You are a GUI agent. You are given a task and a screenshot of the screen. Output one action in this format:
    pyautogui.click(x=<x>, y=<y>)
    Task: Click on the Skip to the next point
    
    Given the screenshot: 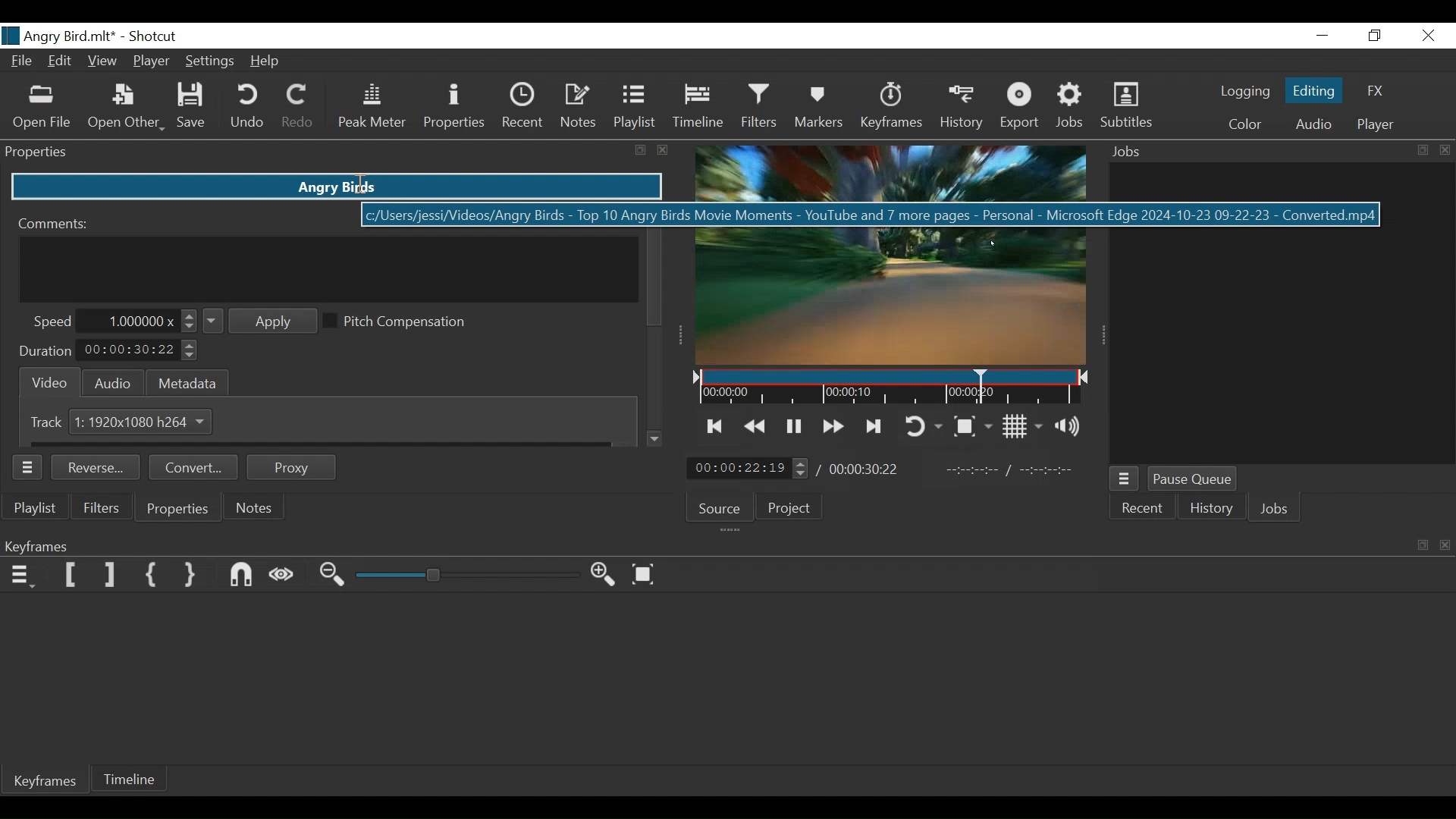 What is the action you would take?
    pyautogui.click(x=716, y=426)
    